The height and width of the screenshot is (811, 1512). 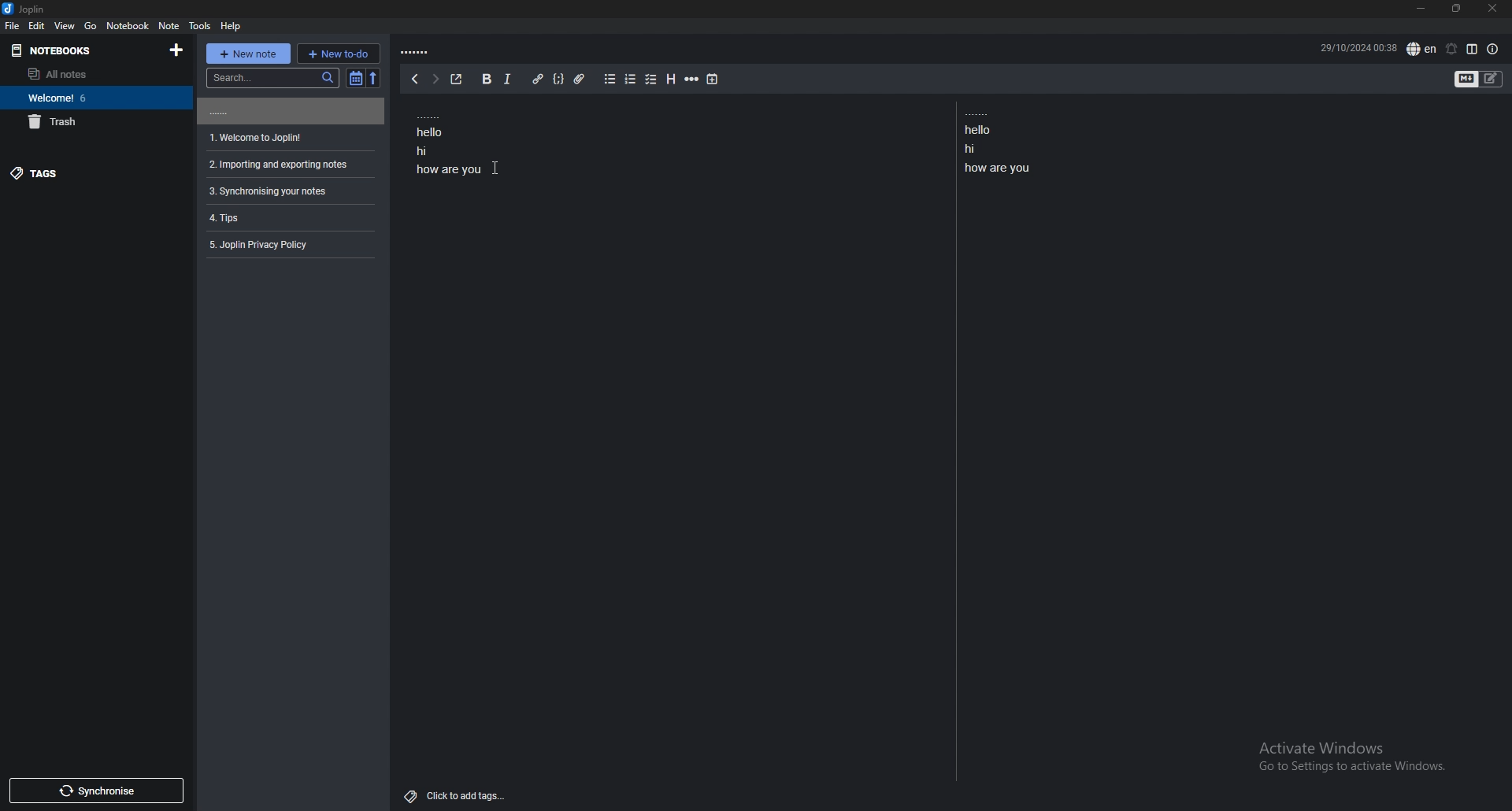 What do you see at coordinates (272, 77) in the screenshot?
I see `search bar` at bounding box center [272, 77].